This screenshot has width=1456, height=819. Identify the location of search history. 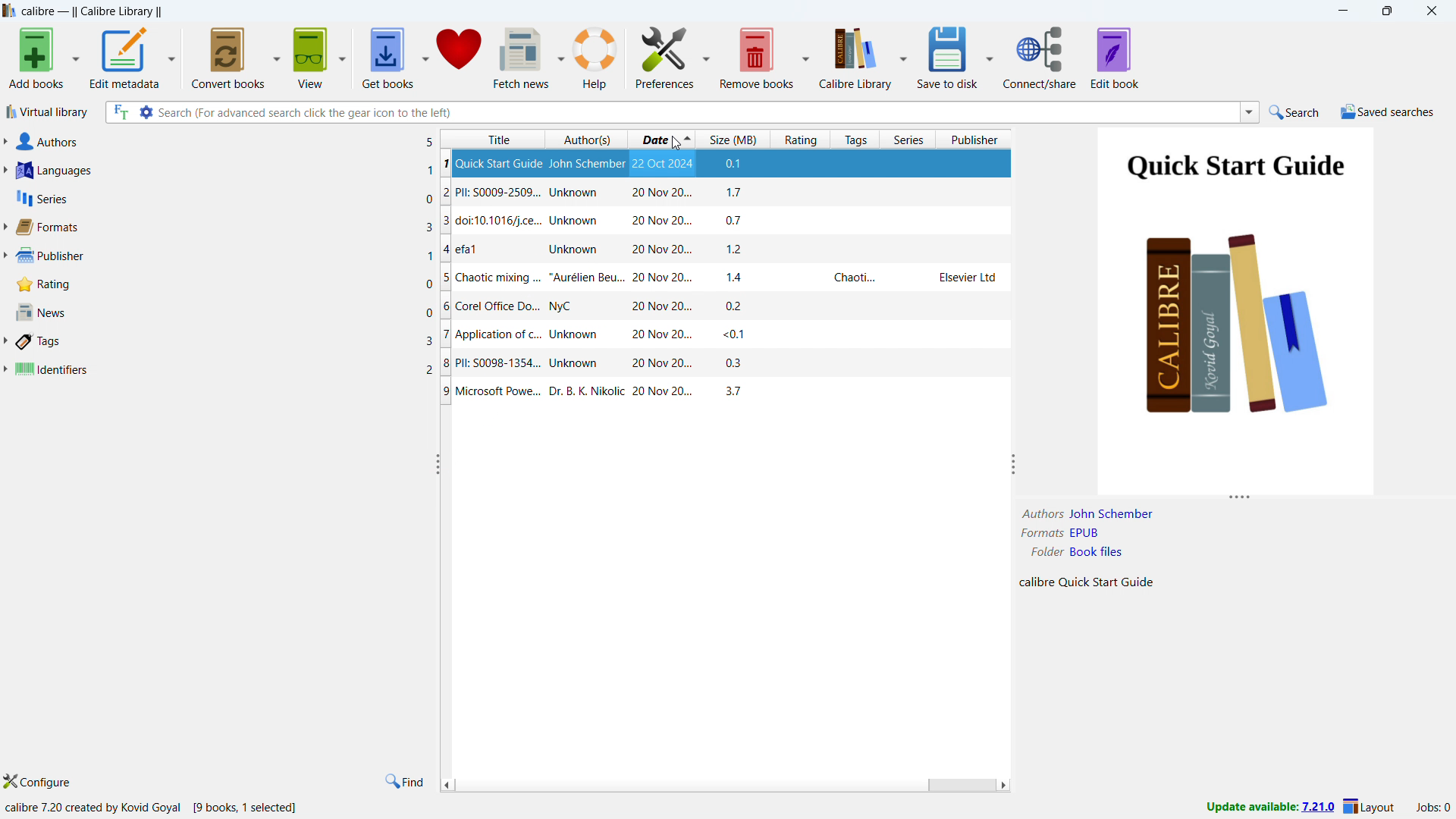
(1250, 113).